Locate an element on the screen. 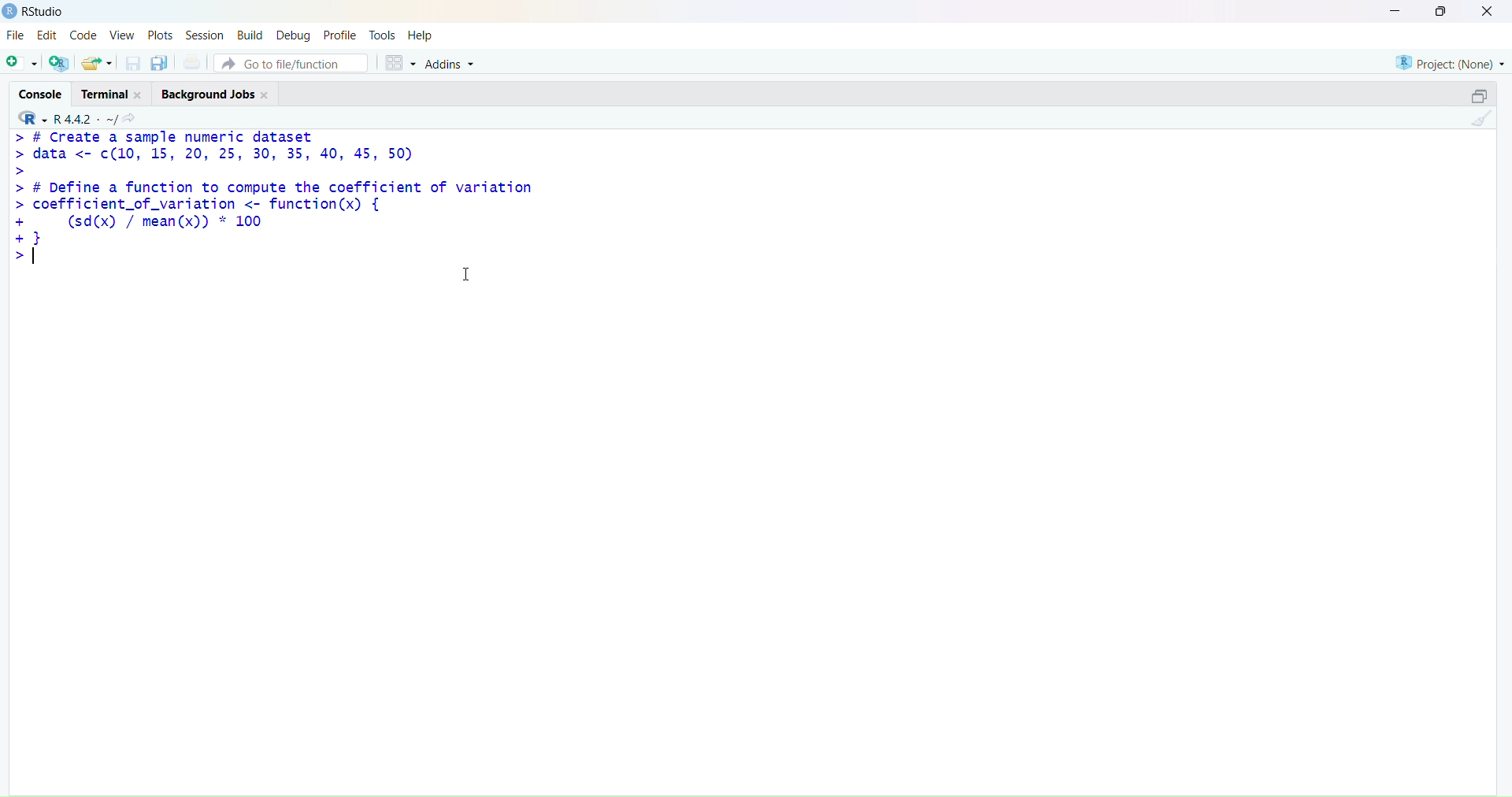  logo is located at coordinates (11, 11).